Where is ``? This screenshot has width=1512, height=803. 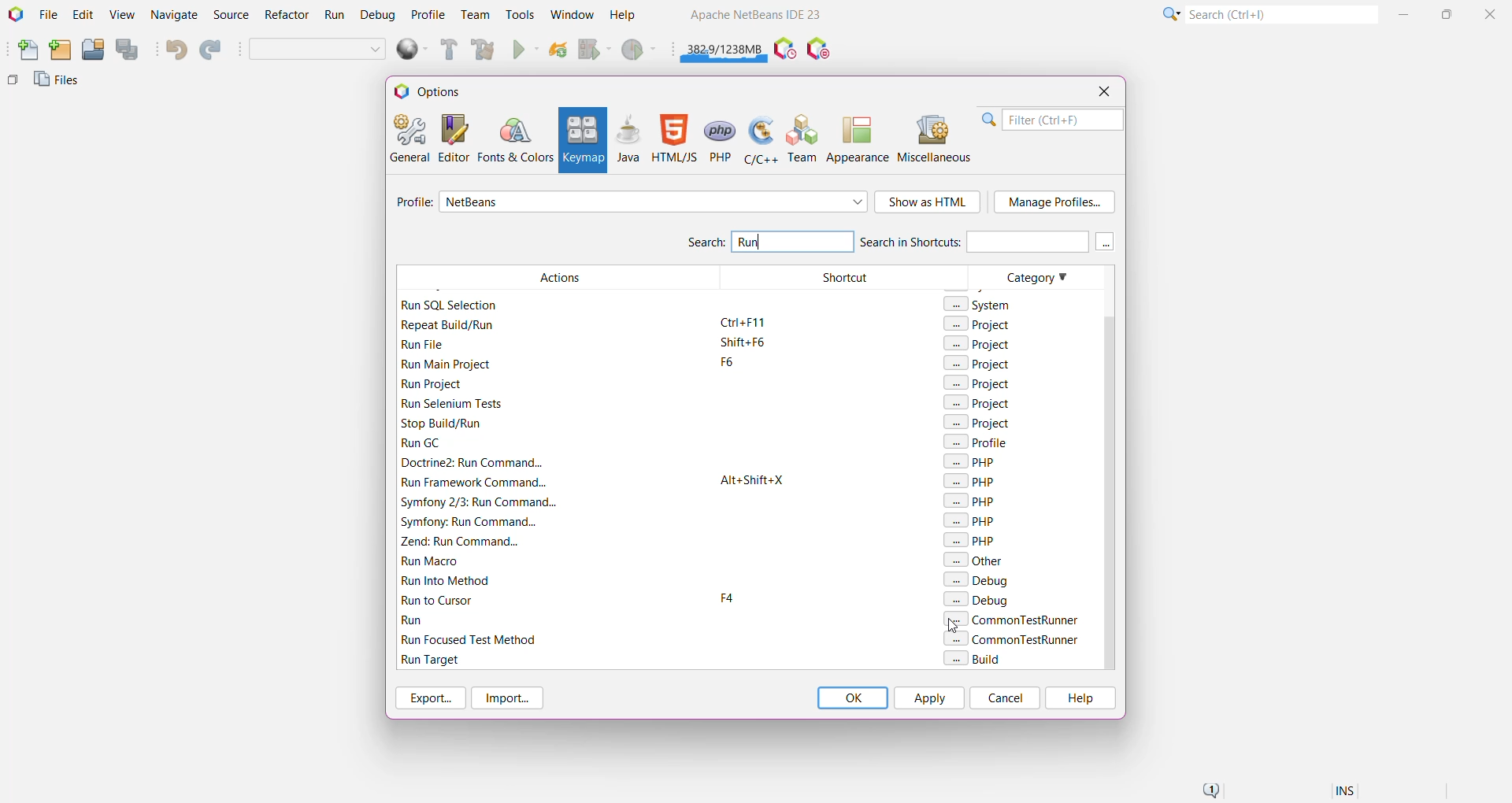
 is located at coordinates (13, 83).